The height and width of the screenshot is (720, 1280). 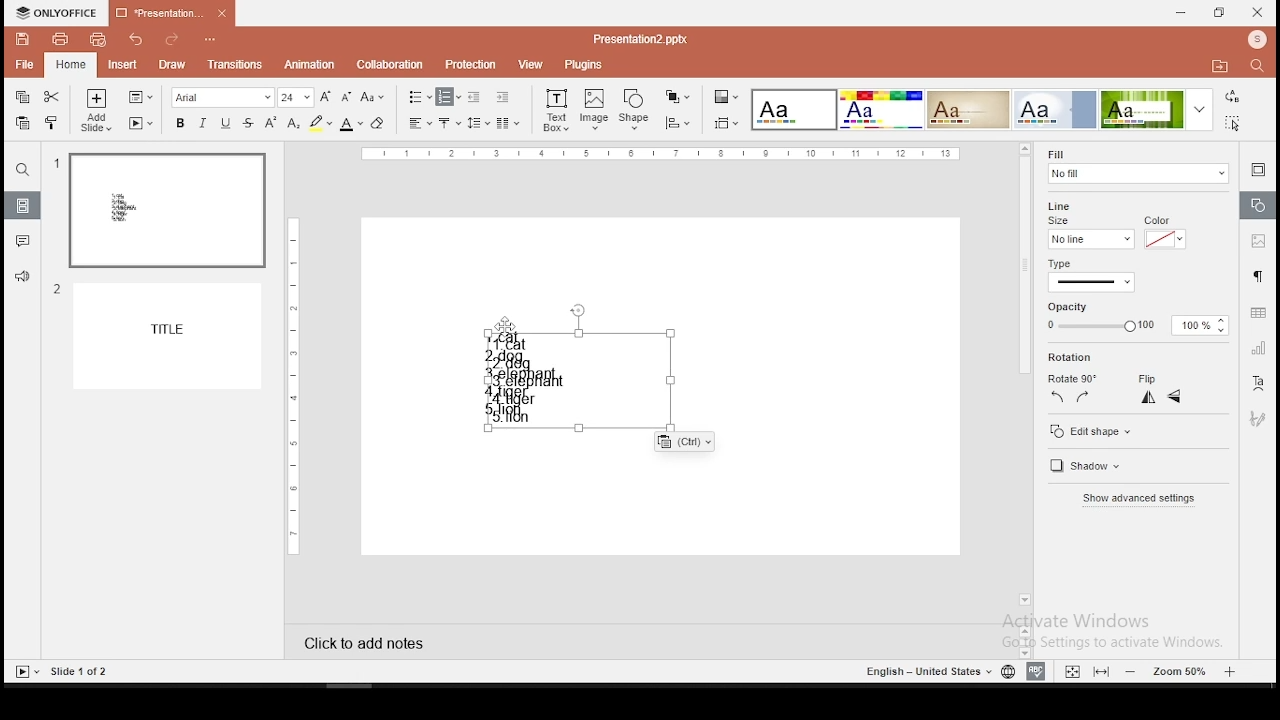 I want to click on redo, so click(x=173, y=42).